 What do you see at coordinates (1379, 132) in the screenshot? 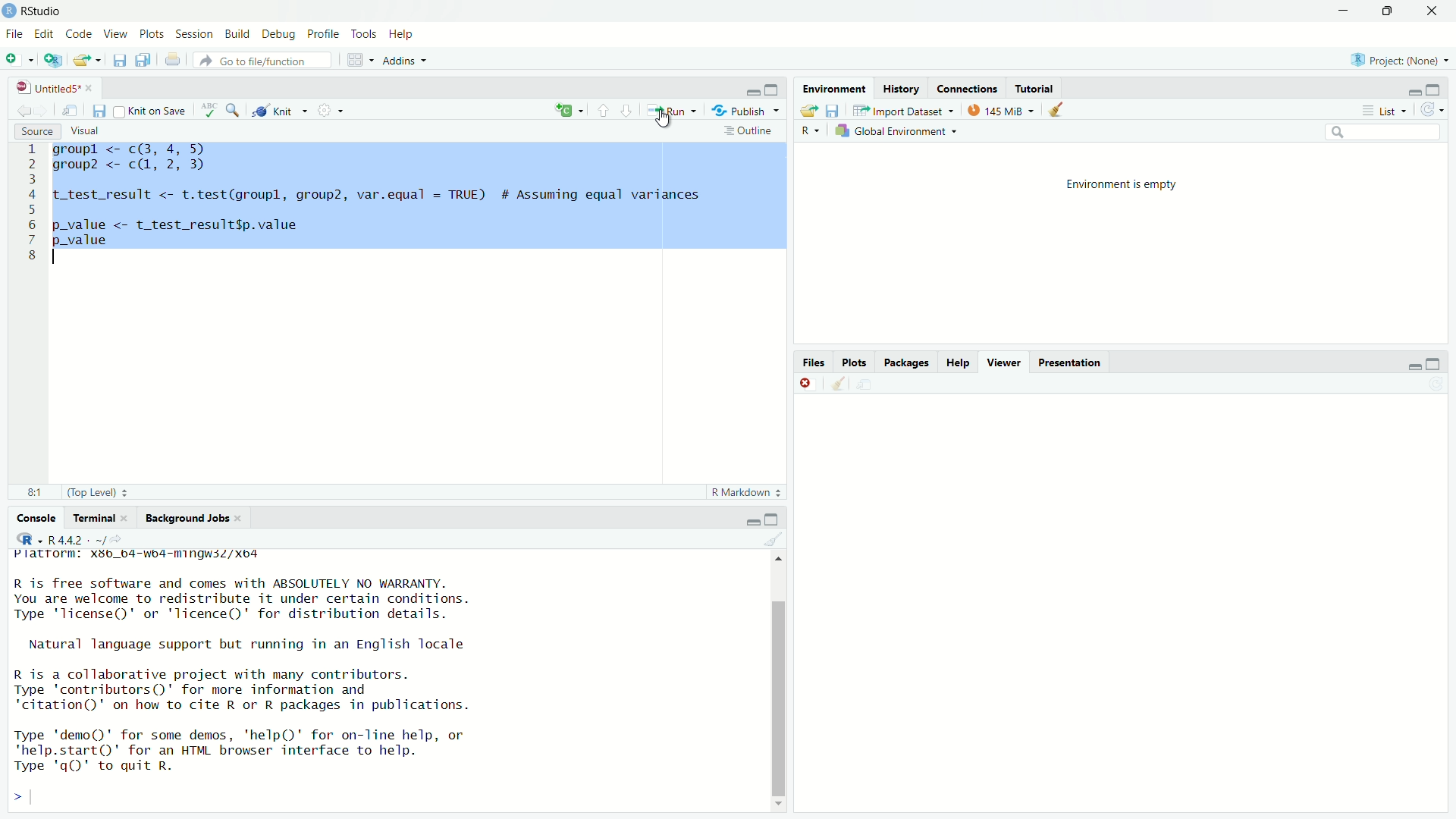
I see `search` at bounding box center [1379, 132].